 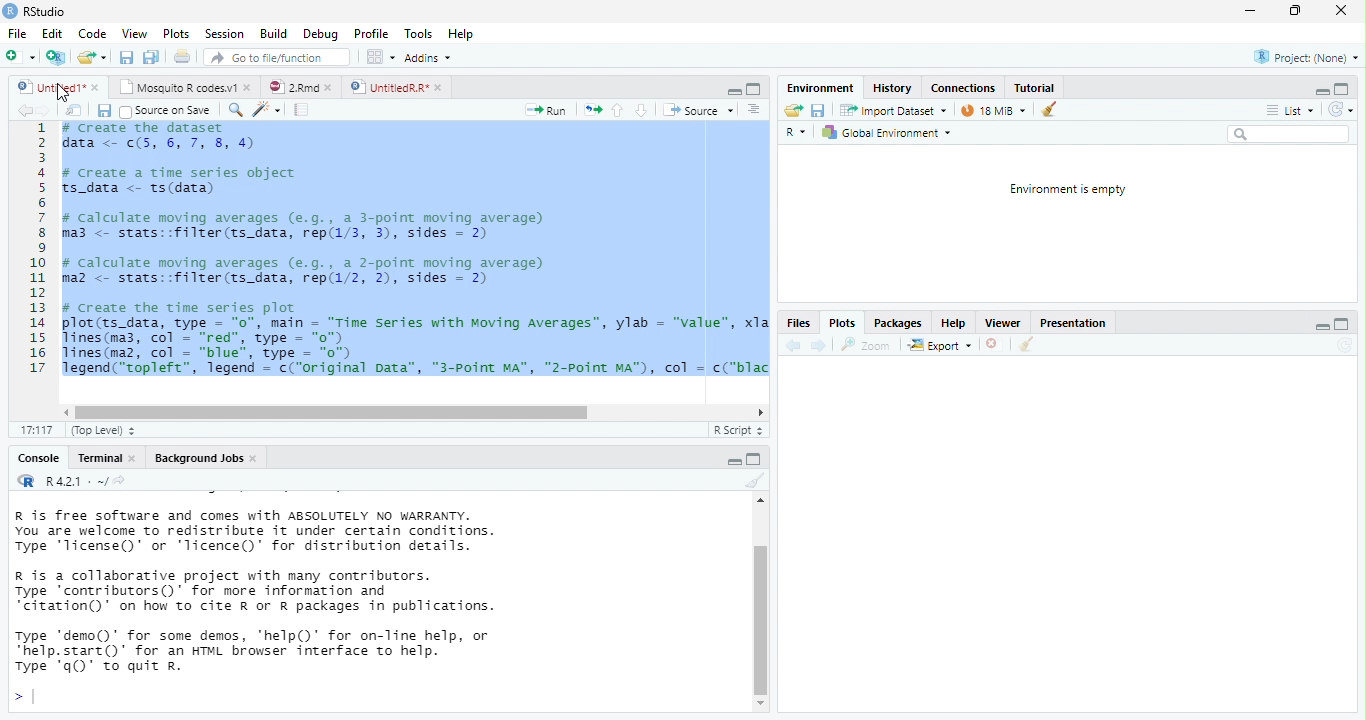 What do you see at coordinates (320, 34) in the screenshot?
I see `Debug` at bounding box center [320, 34].